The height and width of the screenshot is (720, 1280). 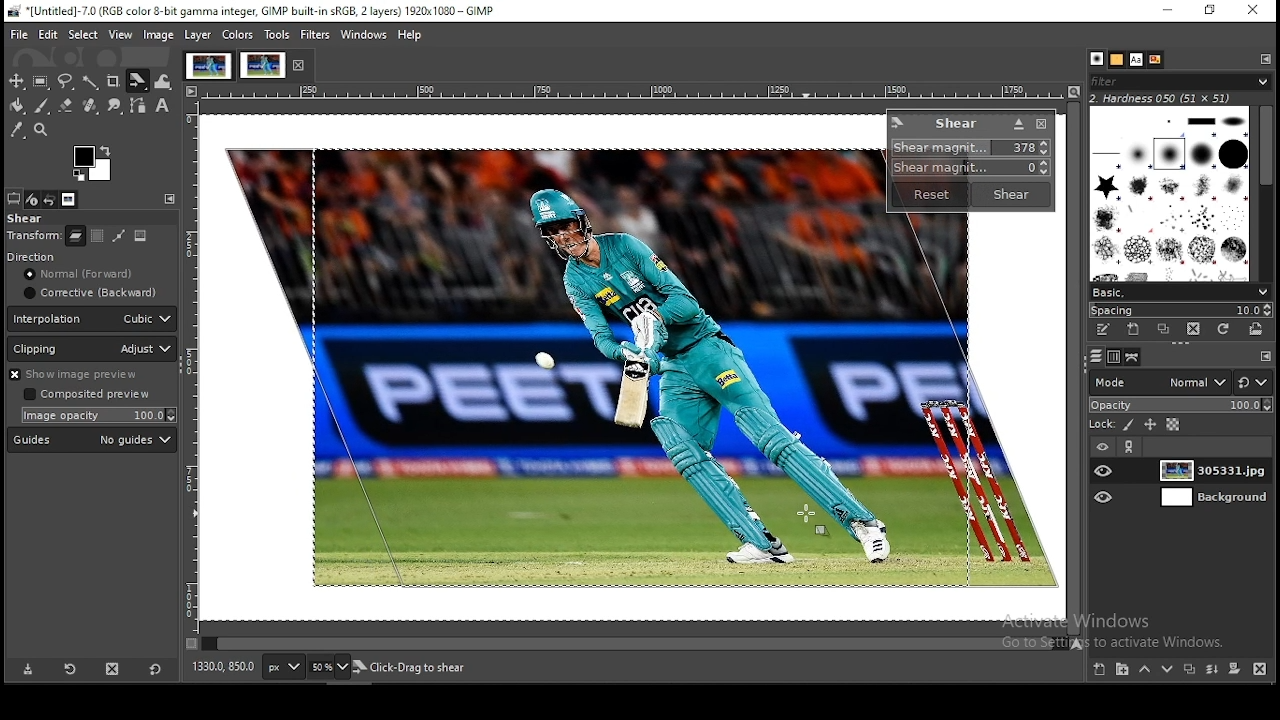 I want to click on image, so click(x=140, y=235).